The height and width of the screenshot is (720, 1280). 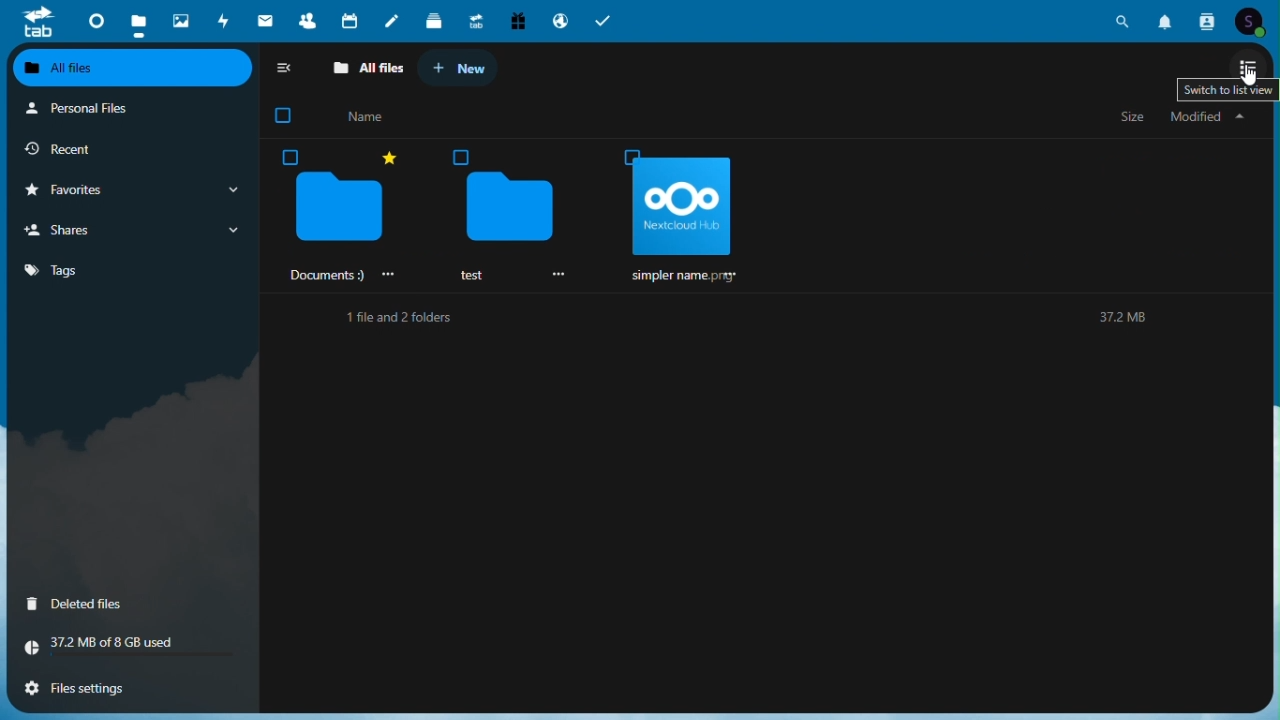 What do you see at coordinates (458, 66) in the screenshot?
I see `New` at bounding box center [458, 66].